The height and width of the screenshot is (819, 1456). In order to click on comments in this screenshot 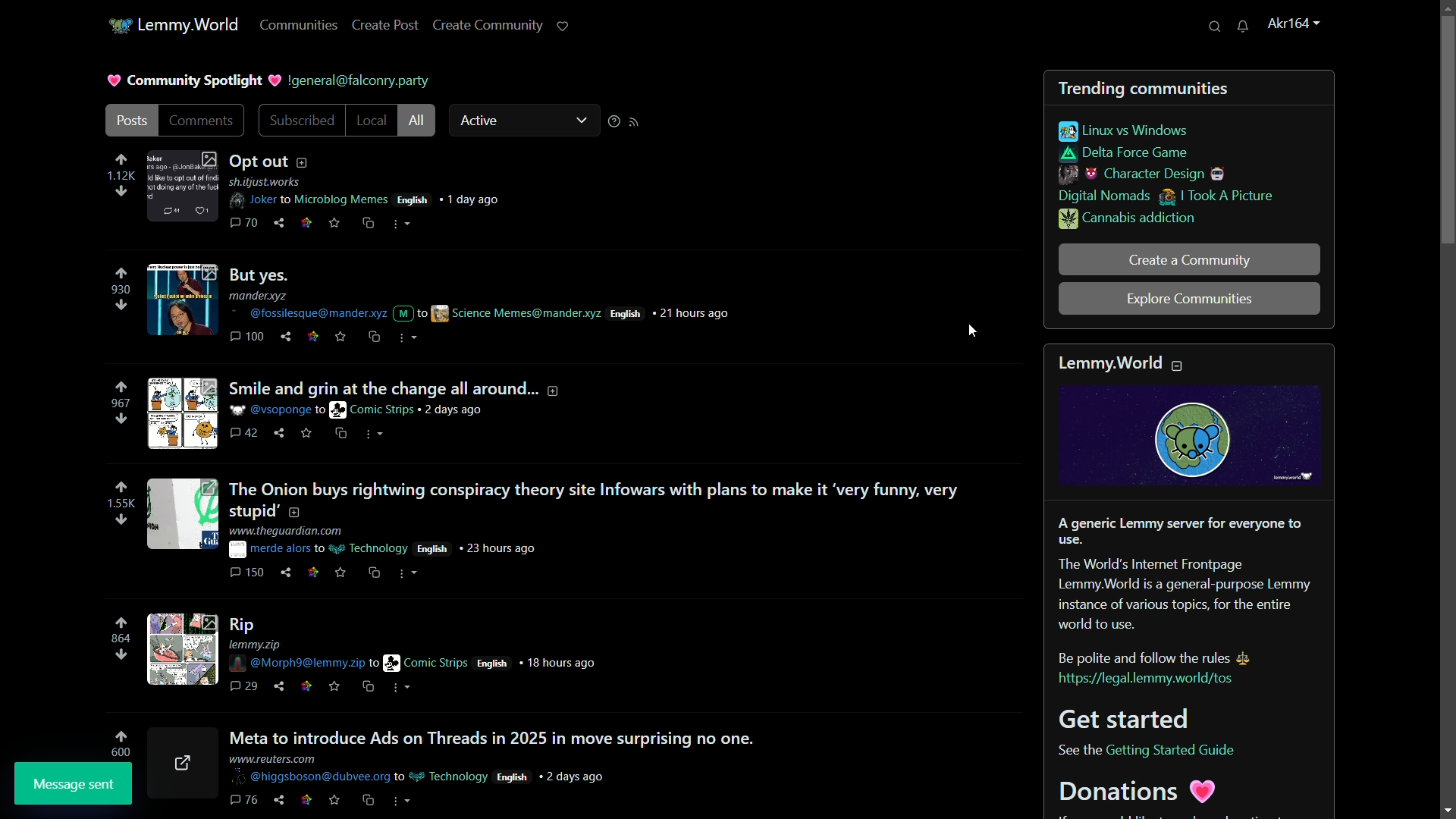, I will do `click(245, 801)`.